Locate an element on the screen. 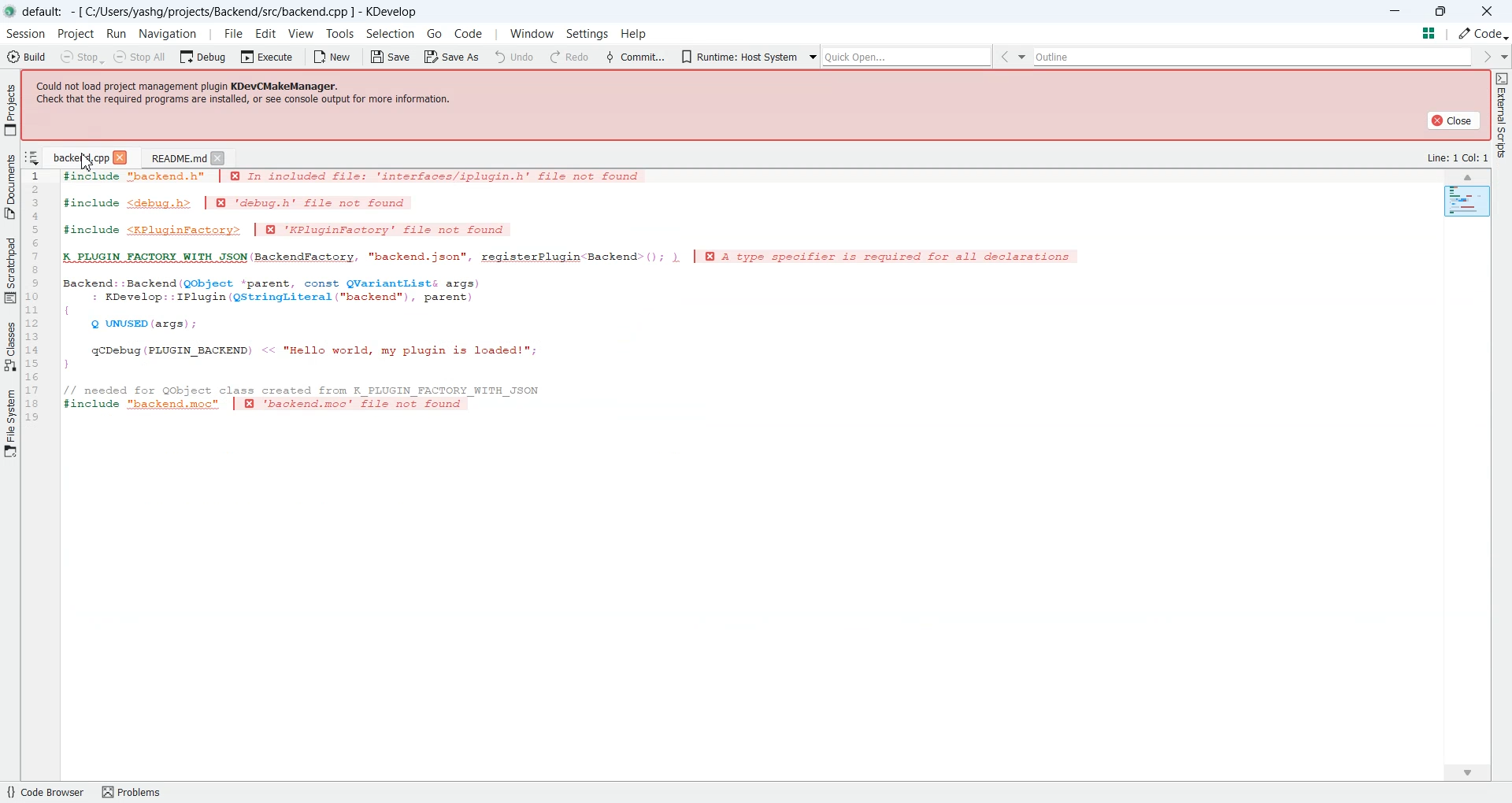 The height and width of the screenshot is (803, 1512). Problems is located at coordinates (137, 791).